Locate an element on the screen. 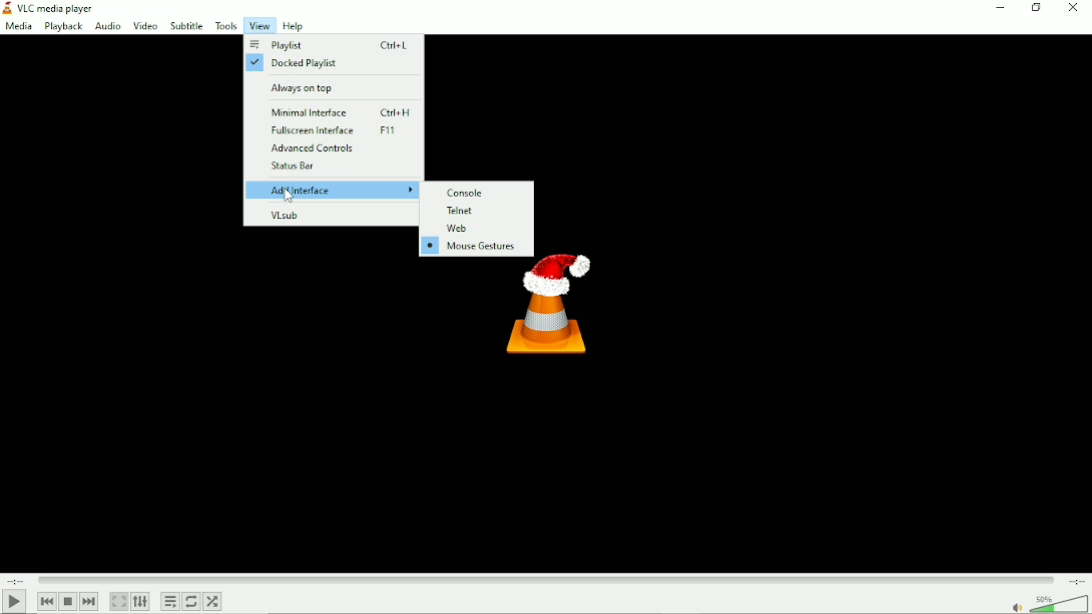  Docked playlist is located at coordinates (331, 64).